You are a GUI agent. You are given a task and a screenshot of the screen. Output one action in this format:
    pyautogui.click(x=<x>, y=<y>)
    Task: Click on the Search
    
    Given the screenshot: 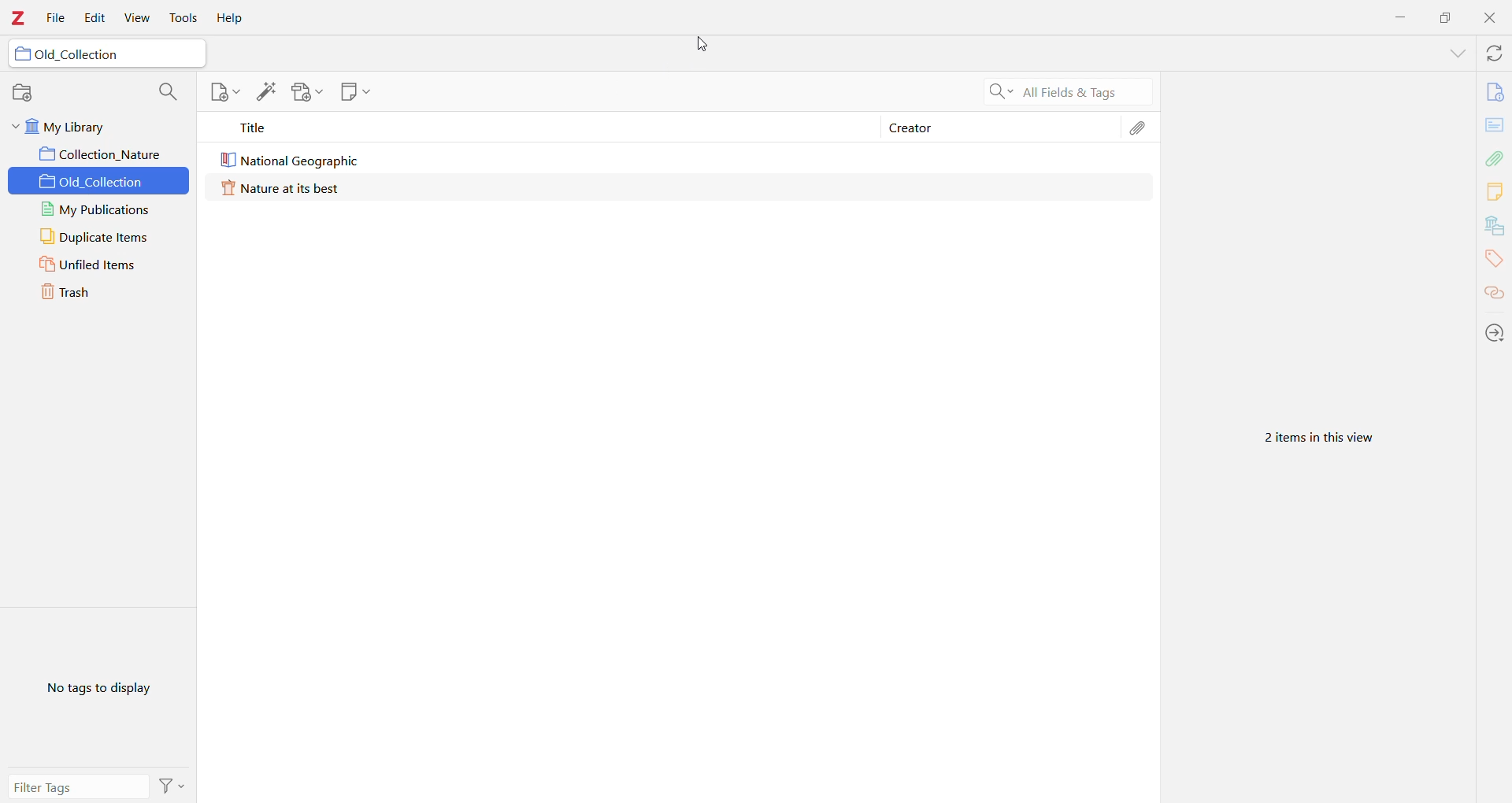 What is the action you would take?
    pyautogui.click(x=1062, y=92)
    